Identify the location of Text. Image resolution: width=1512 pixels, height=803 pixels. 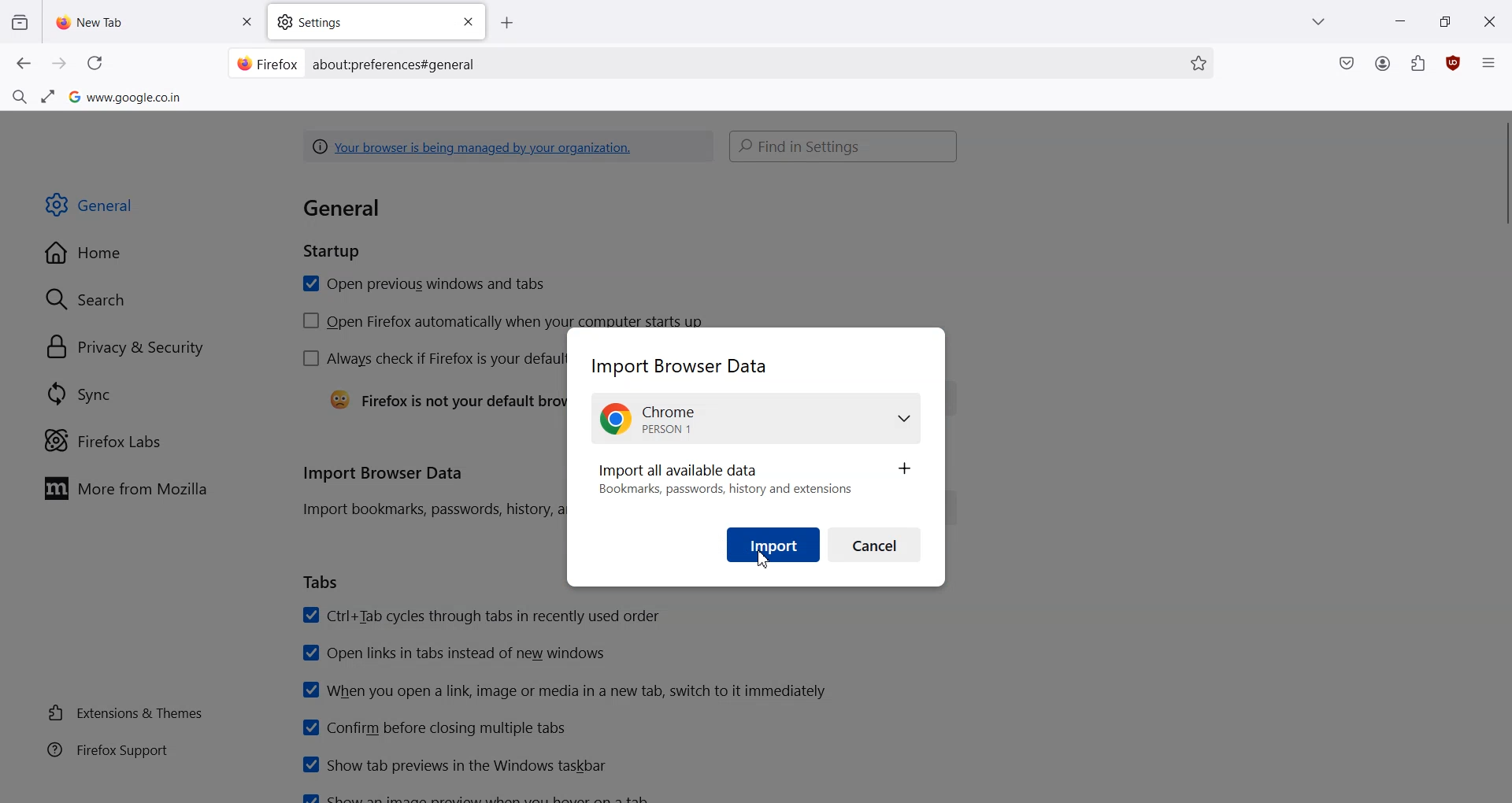
(358, 227).